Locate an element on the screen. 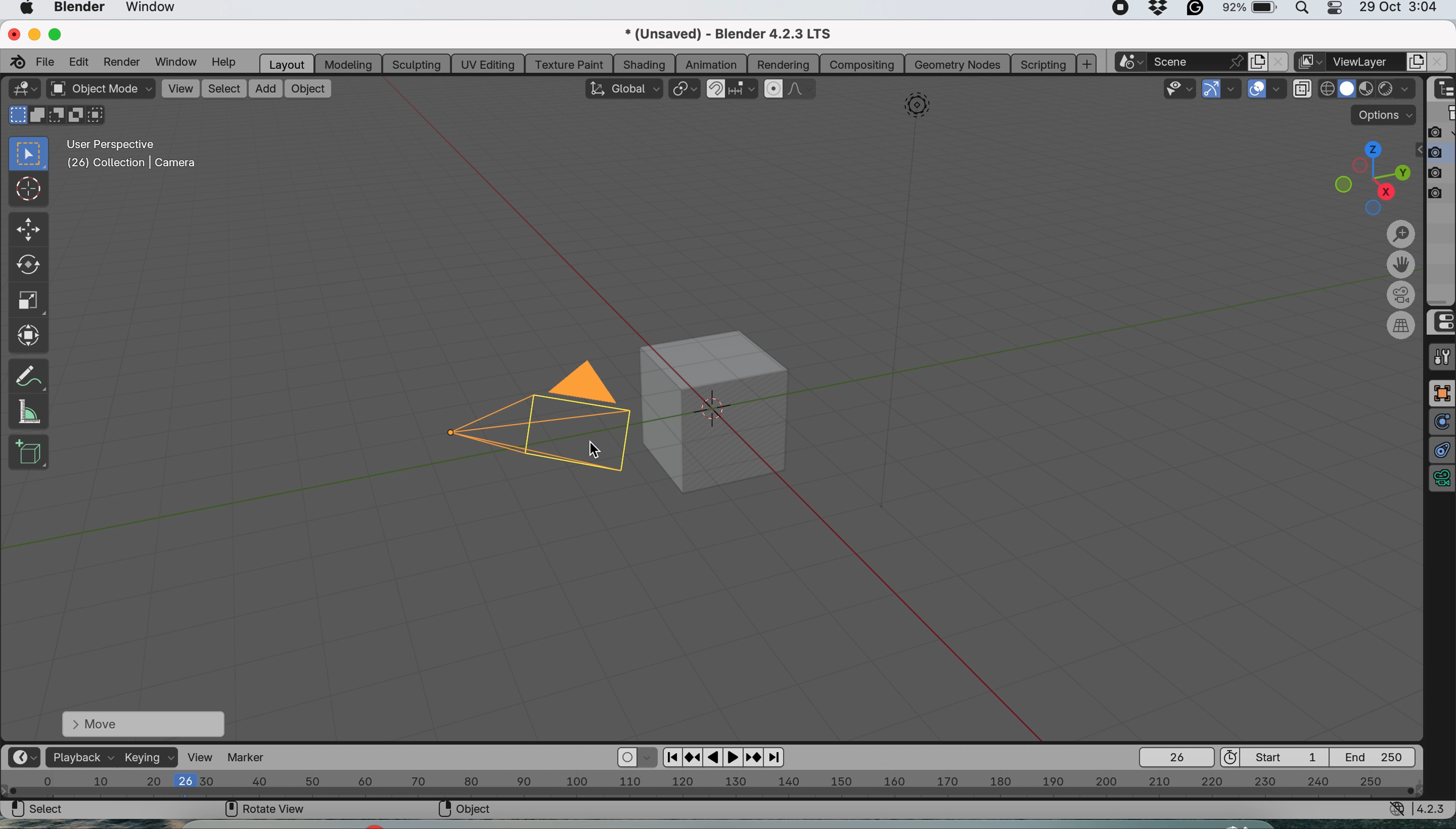  move the view is located at coordinates (1401, 266).